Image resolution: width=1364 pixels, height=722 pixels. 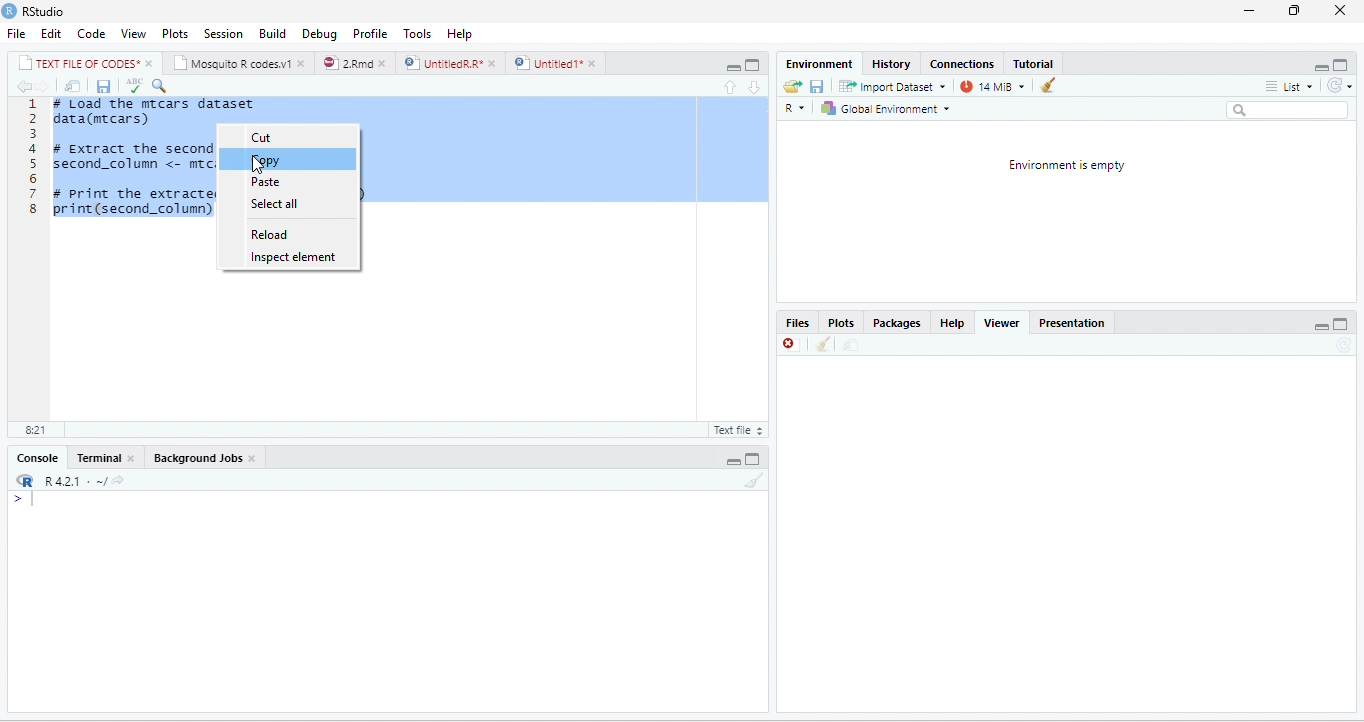 I want to click on , so click(x=268, y=32).